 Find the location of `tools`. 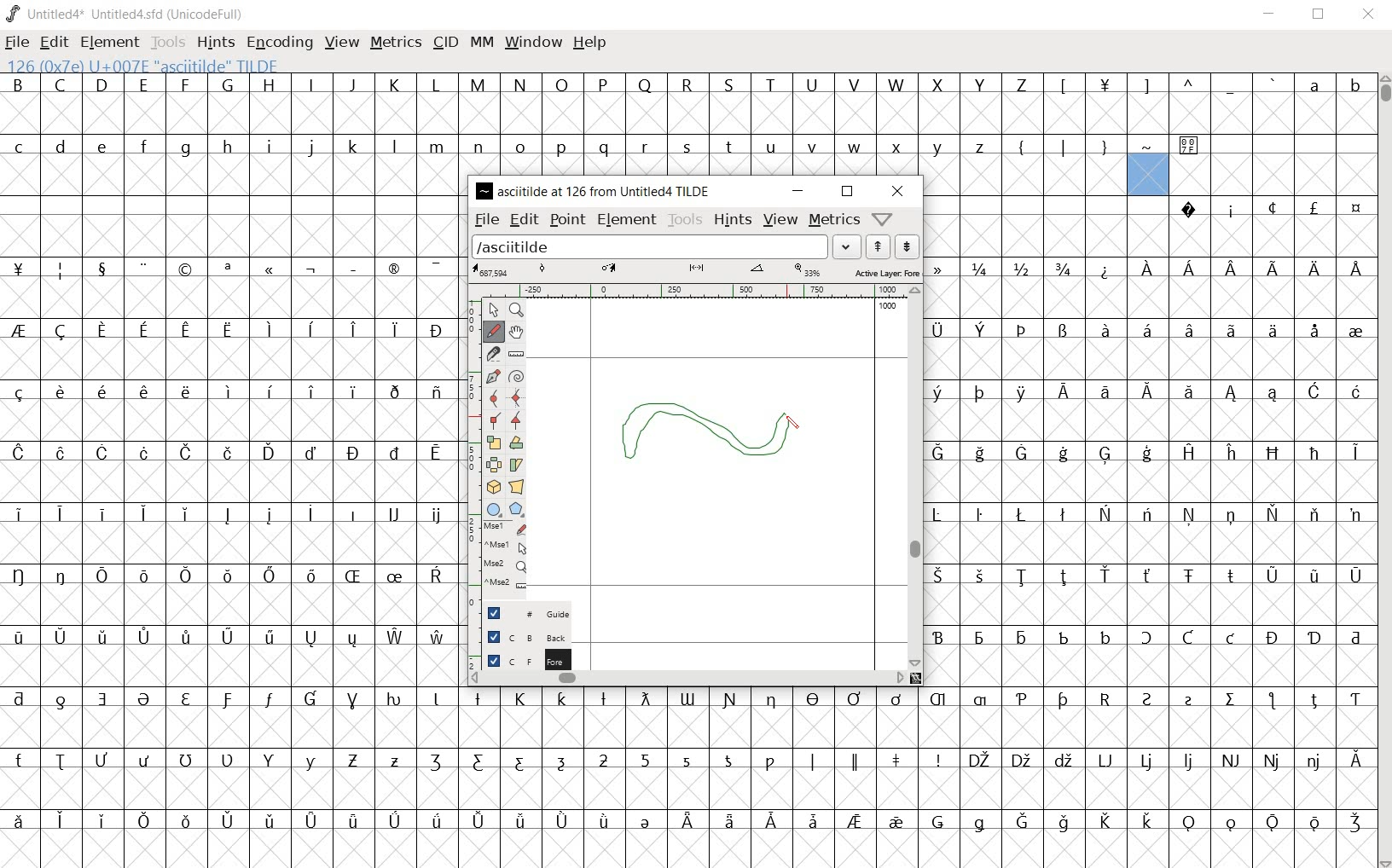

tools is located at coordinates (685, 221).